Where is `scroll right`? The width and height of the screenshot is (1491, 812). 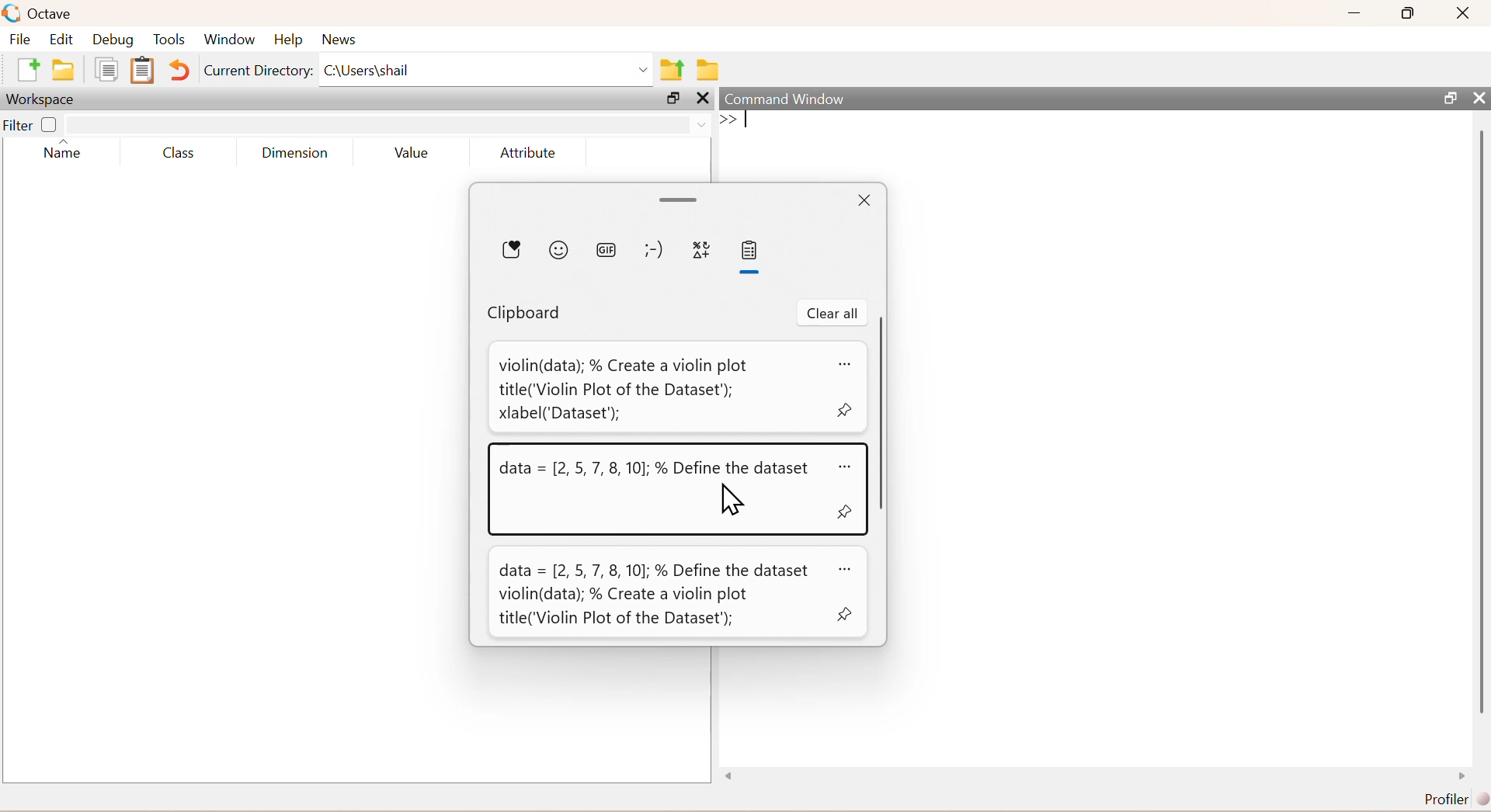 scroll right is located at coordinates (1462, 776).